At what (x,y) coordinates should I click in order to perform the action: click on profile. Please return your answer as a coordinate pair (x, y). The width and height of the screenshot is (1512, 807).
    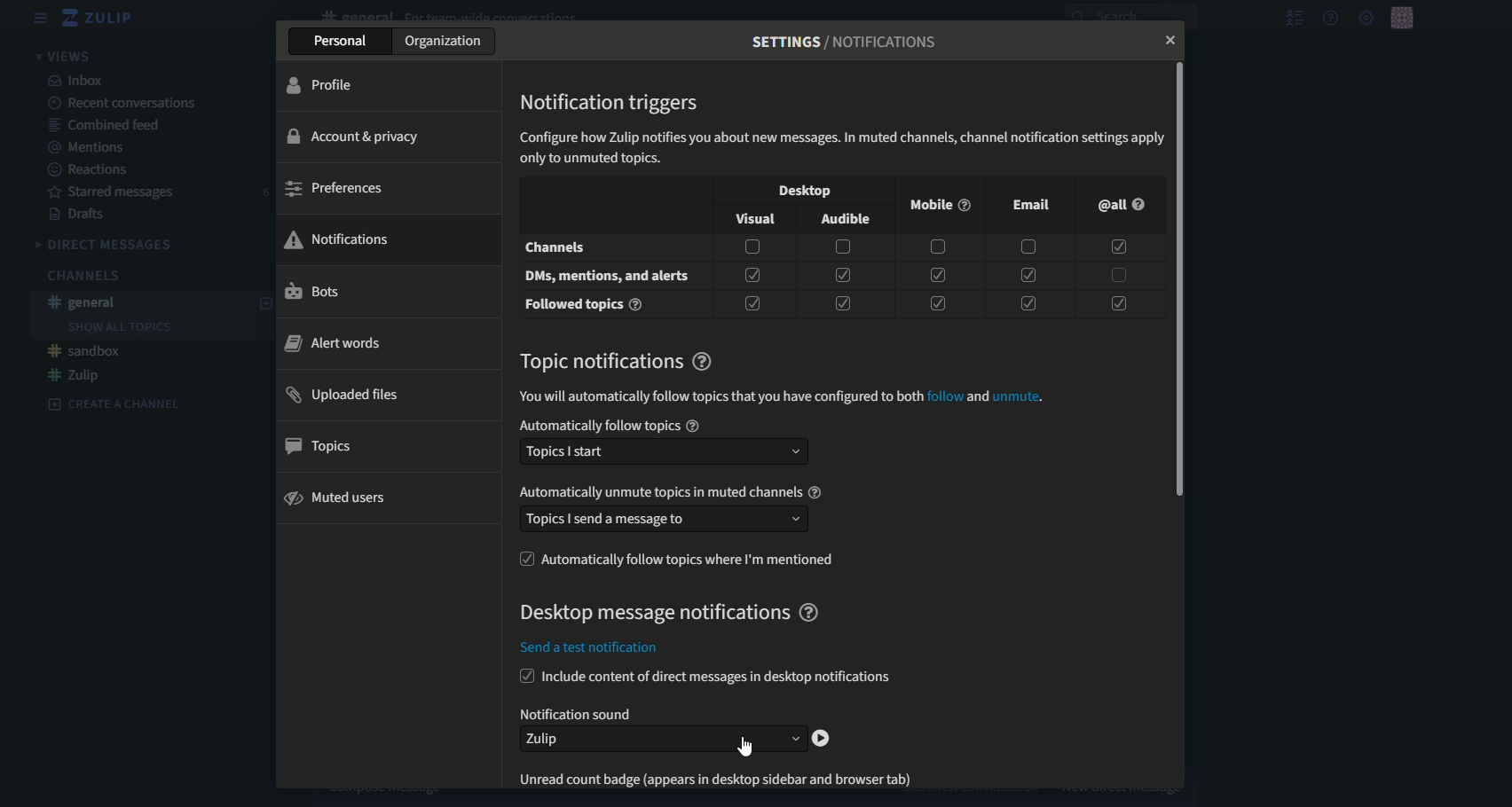
    Looking at the image, I should click on (323, 85).